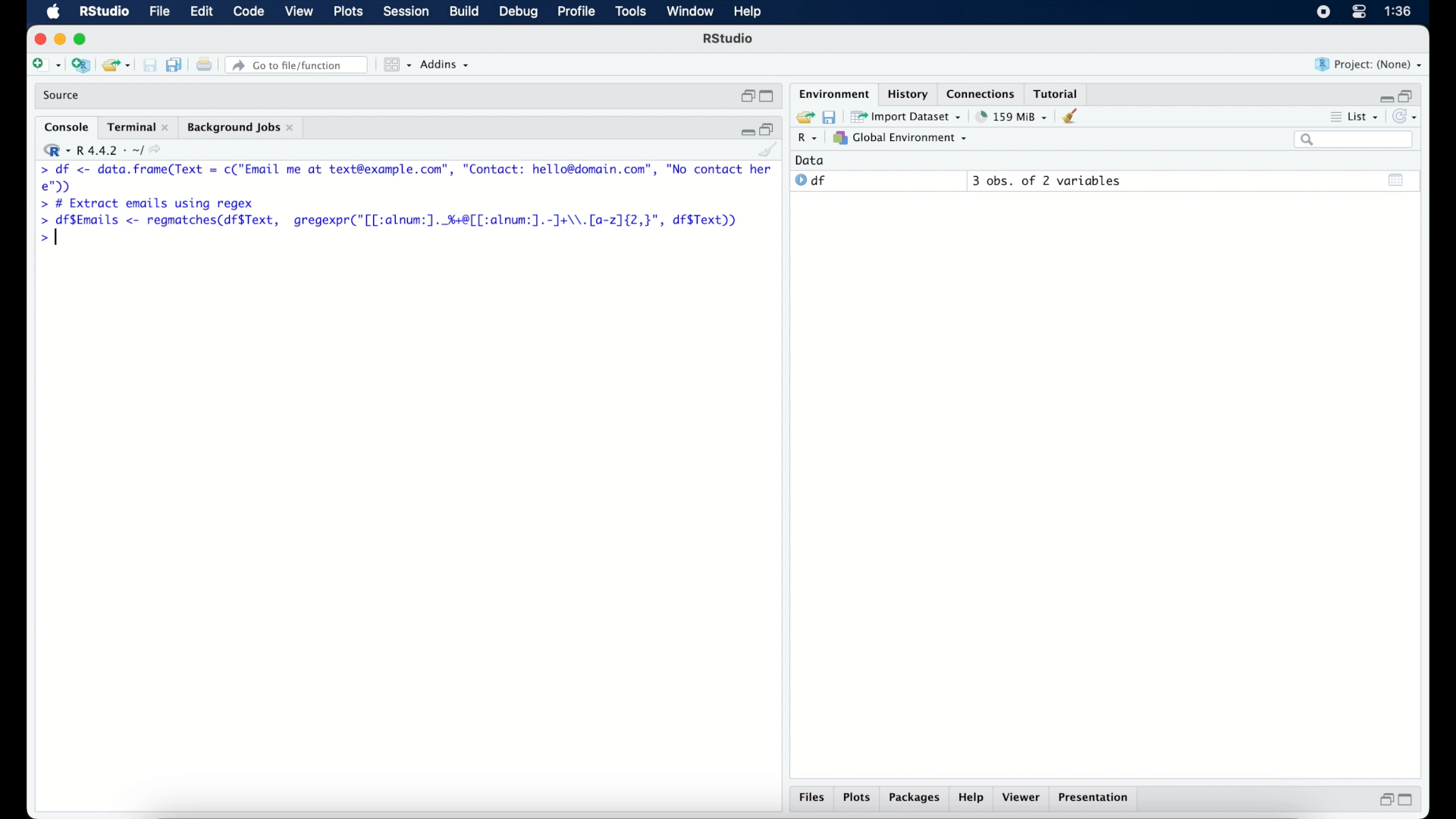  Describe the element at coordinates (38, 38) in the screenshot. I see `close` at that location.